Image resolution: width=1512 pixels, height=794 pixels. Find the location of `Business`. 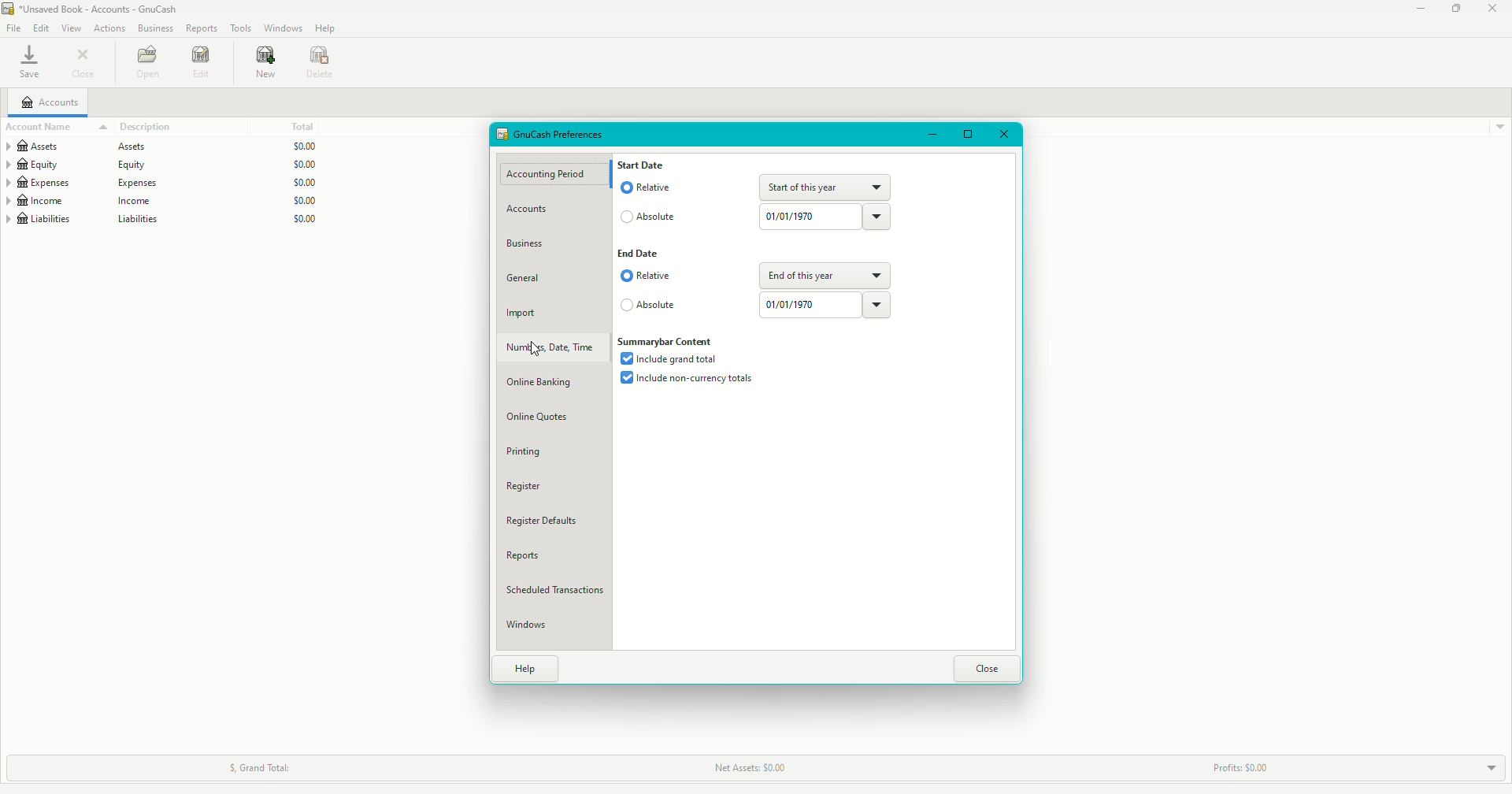

Business is located at coordinates (530, 243).